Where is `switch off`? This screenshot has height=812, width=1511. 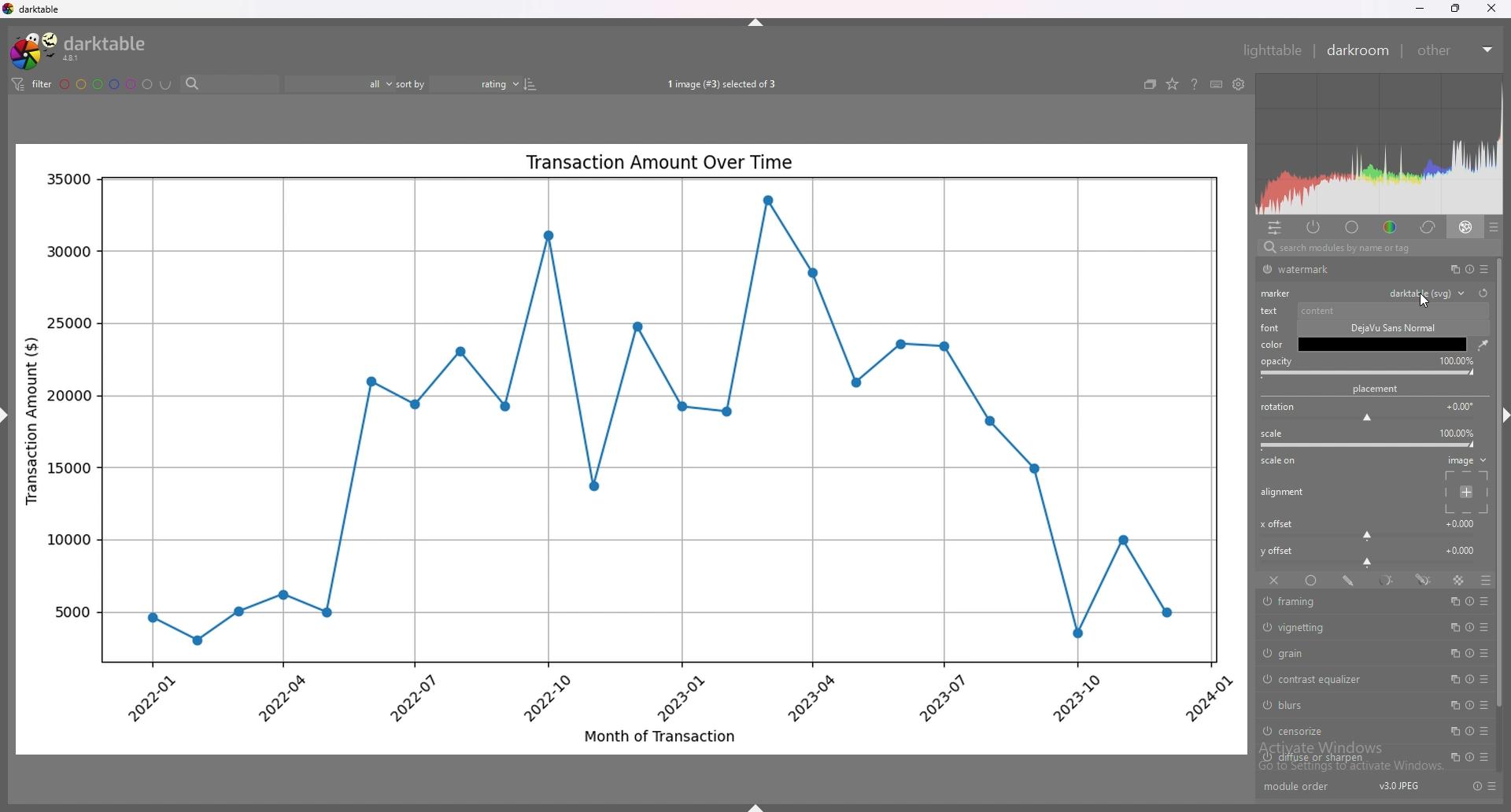
switch off is located at coordinates (1265, 270).